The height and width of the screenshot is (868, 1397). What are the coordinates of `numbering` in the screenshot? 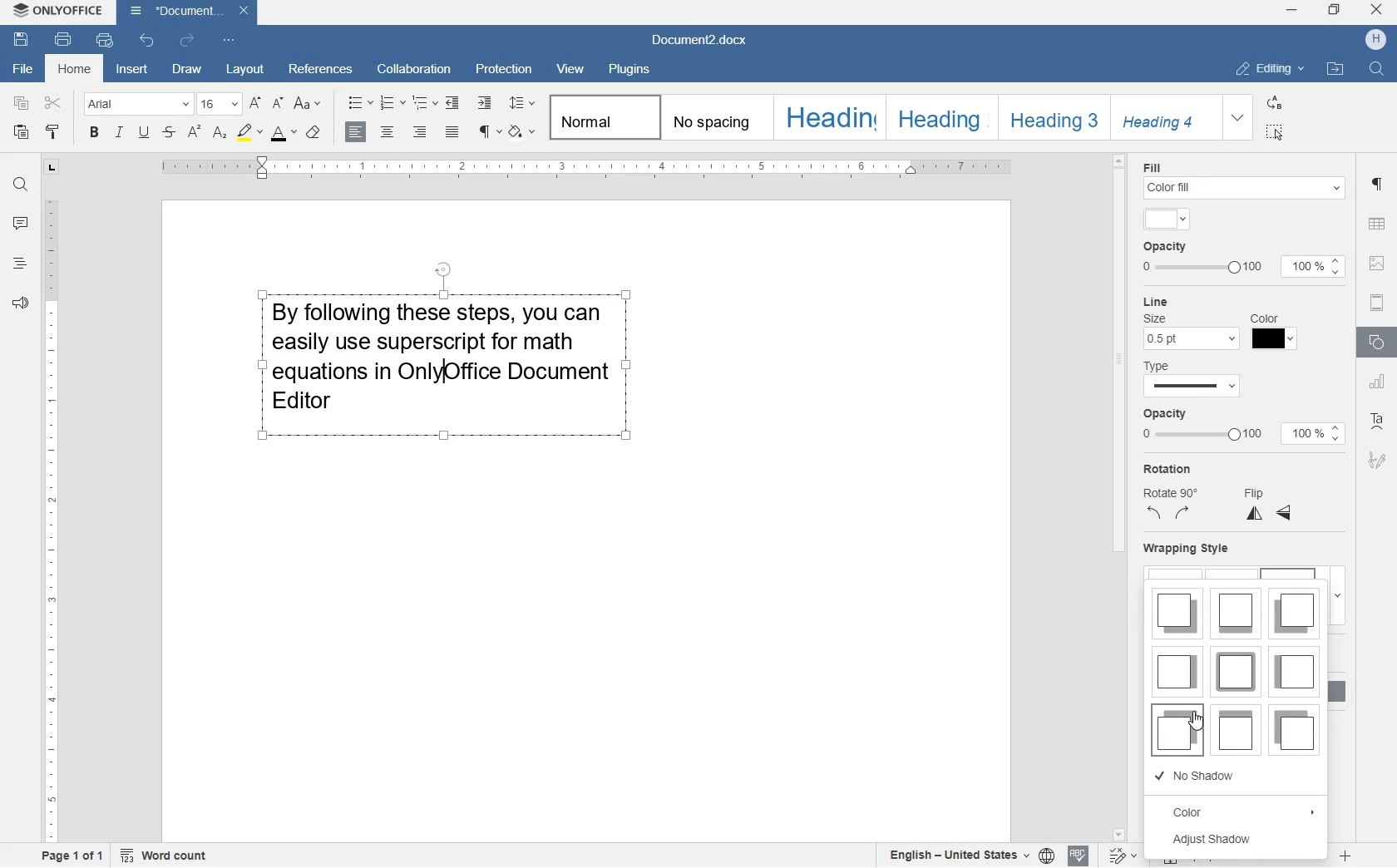 It's located at (394, 102).